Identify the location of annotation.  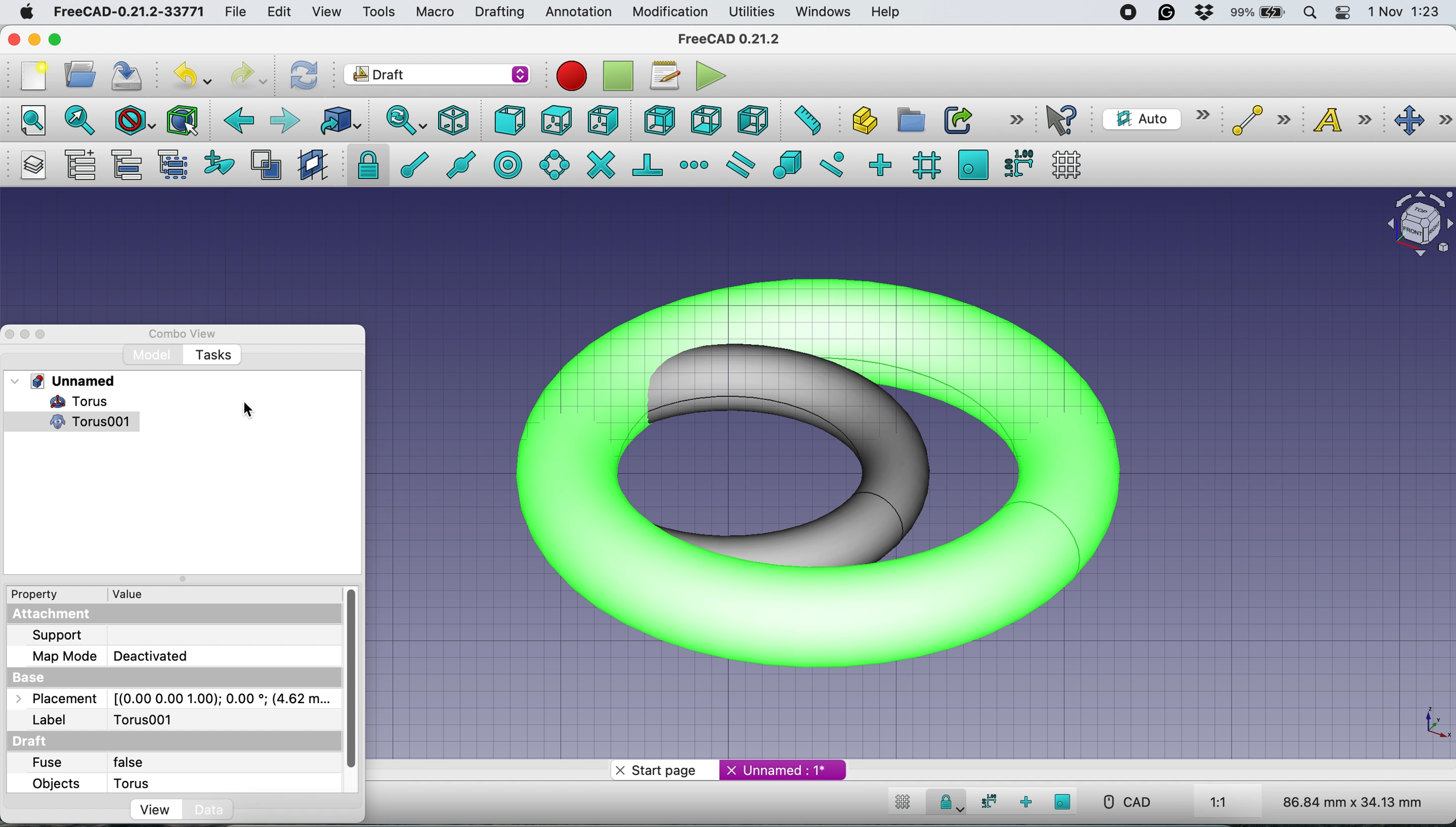
(578, 12).